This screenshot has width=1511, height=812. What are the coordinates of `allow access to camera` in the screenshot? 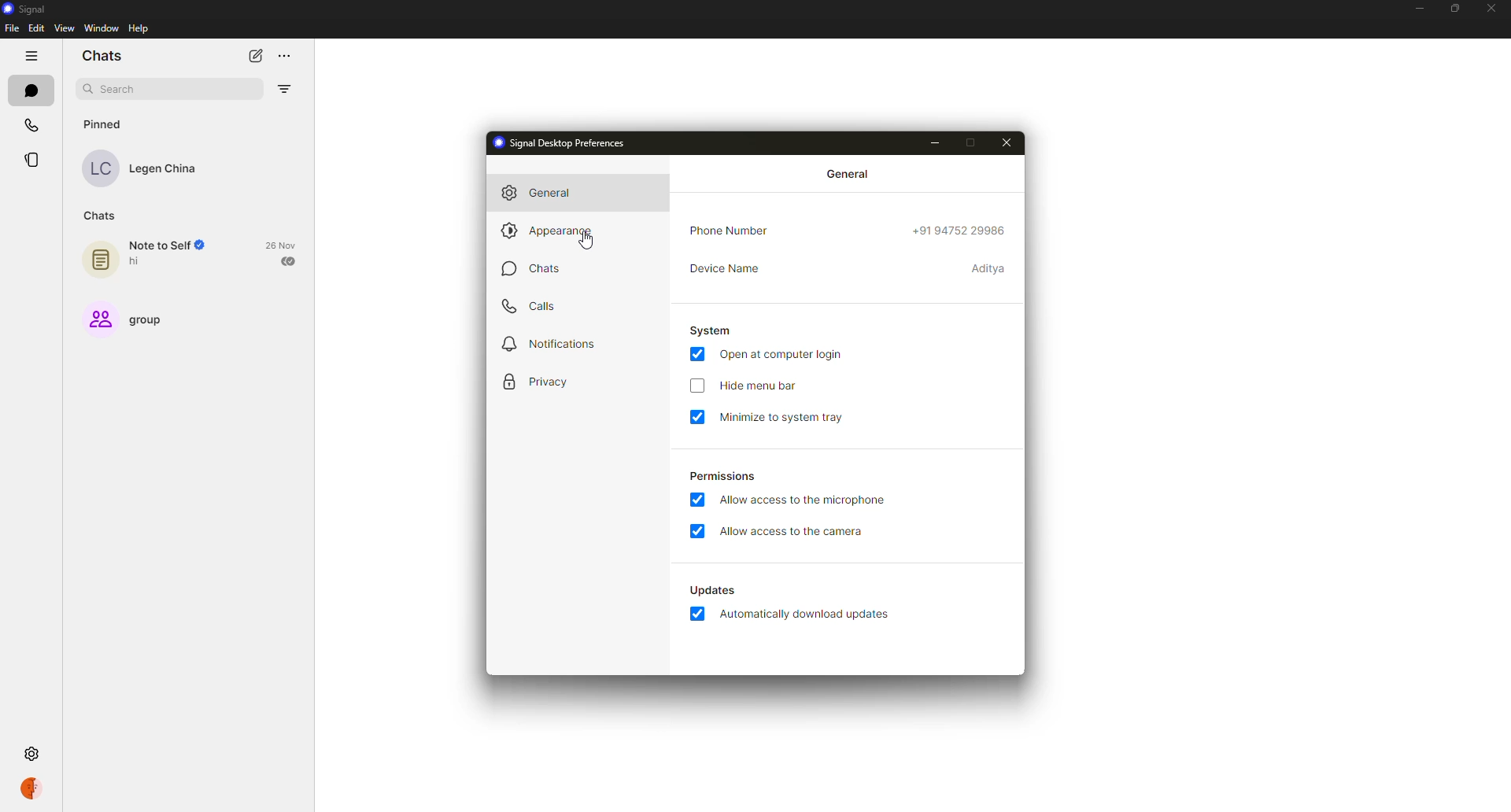 It's located at (795, 533).